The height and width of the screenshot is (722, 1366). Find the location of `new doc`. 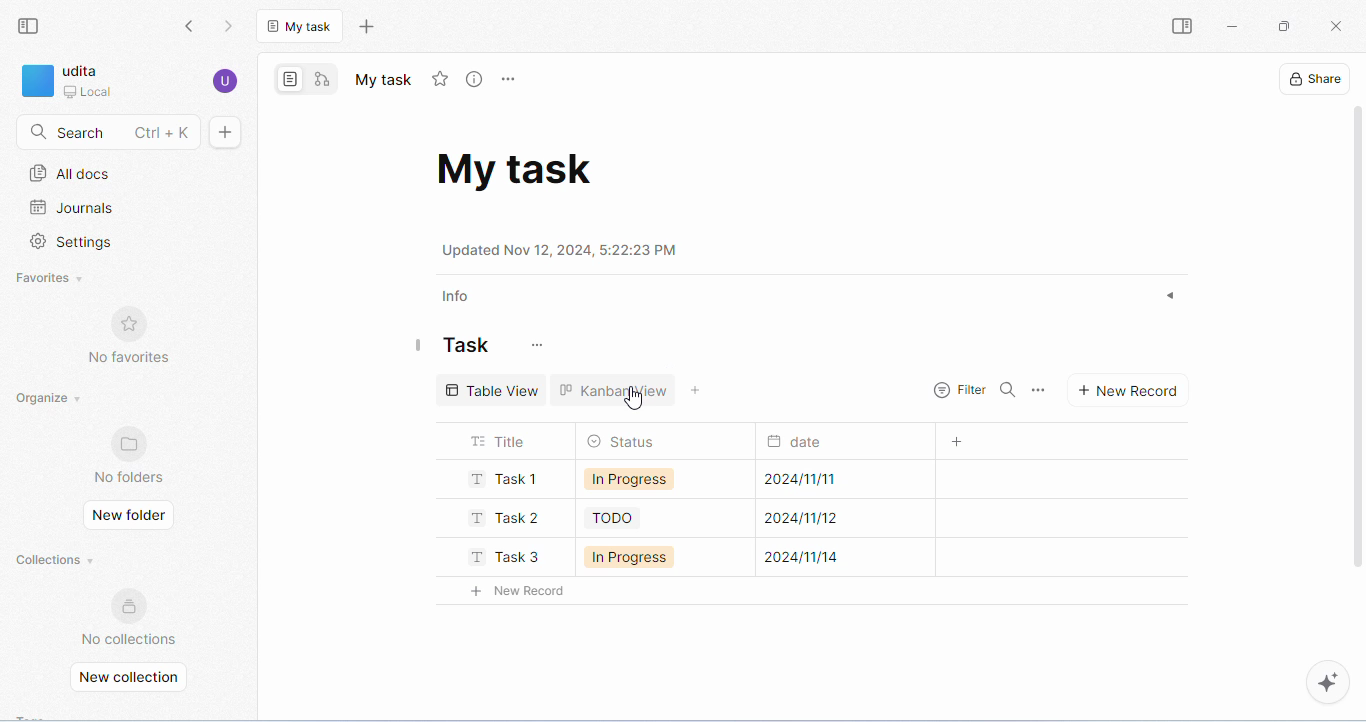

new doc is located at coordinates (228, 133).